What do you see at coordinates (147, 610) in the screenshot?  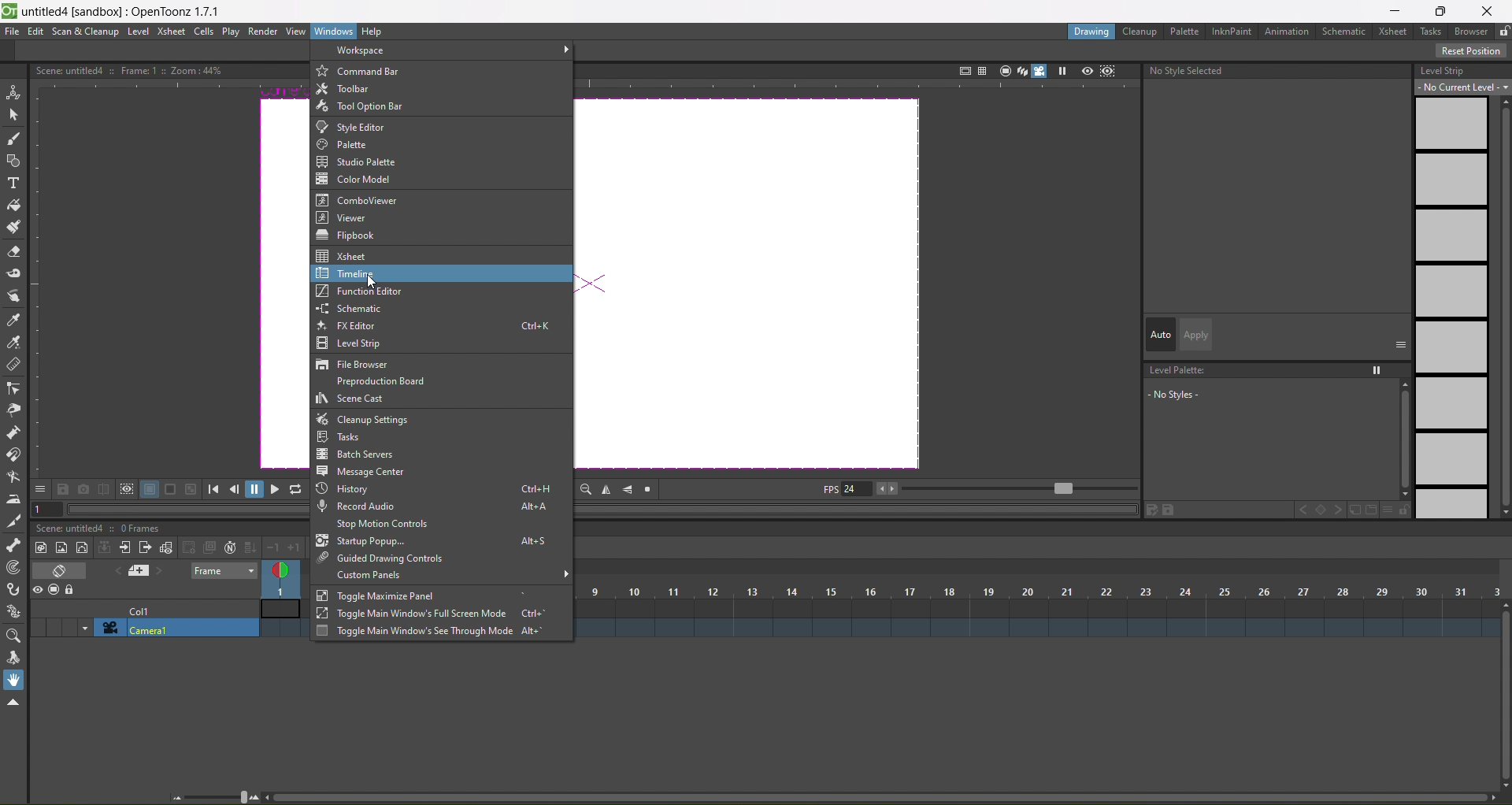 I see `col1` at bounding box center [147, 610].